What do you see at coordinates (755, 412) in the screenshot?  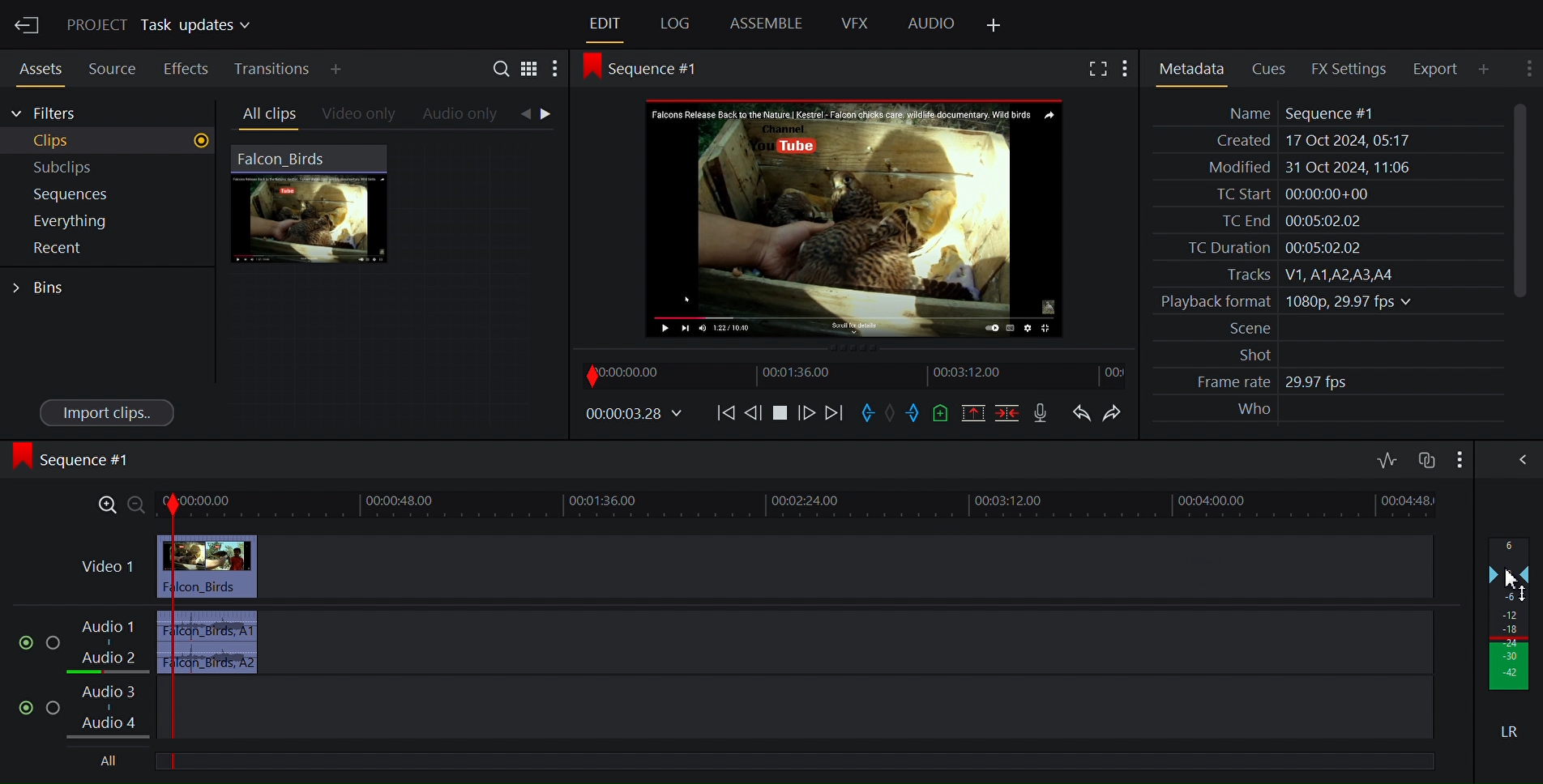 I see `Nudge one frame backward` at bounding box center [755, 412].